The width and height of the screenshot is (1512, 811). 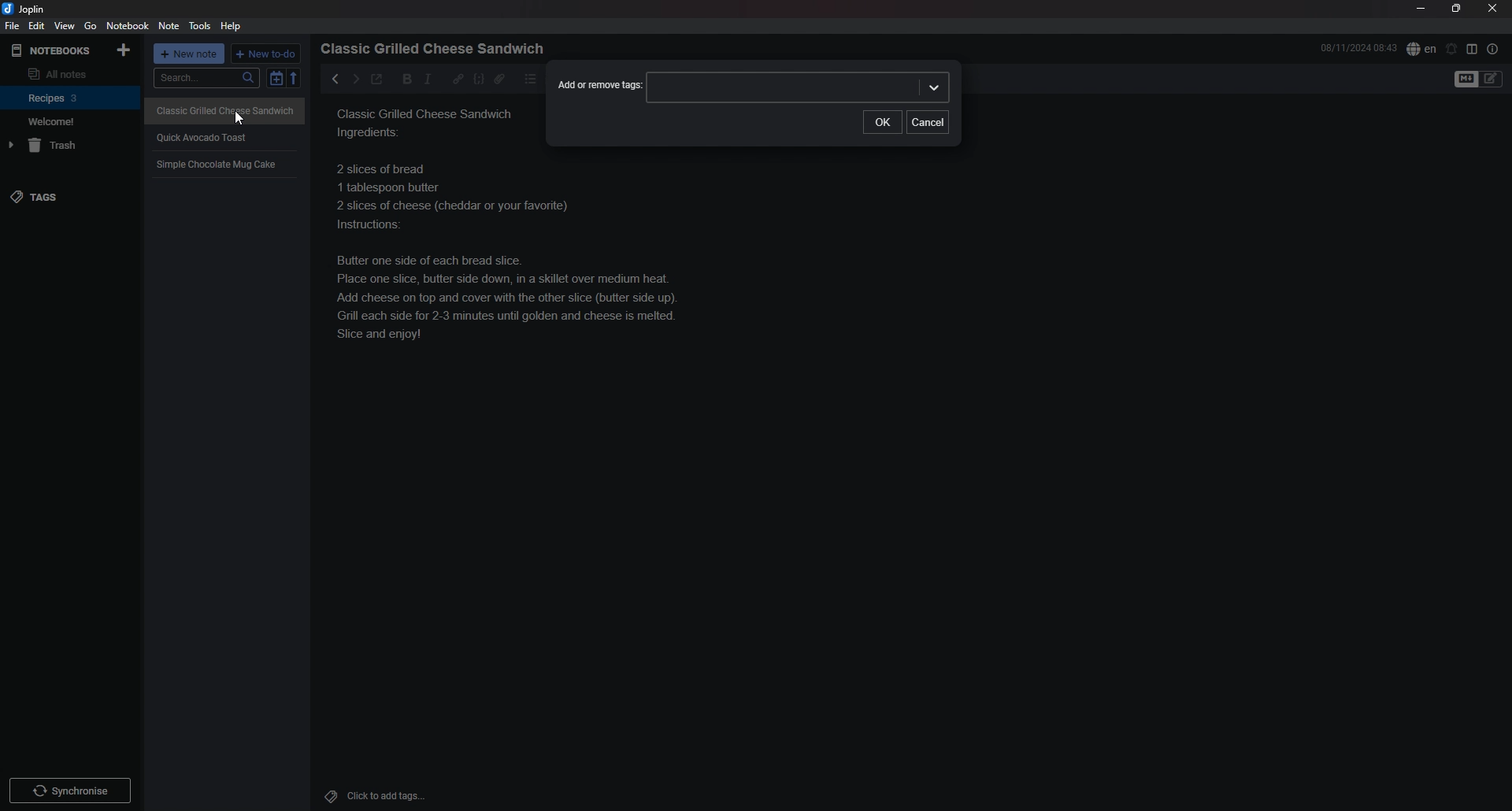 What do you see at coordinates (881, 121) in the screenshot?
I see `ok` at bounding box center [881, 121].